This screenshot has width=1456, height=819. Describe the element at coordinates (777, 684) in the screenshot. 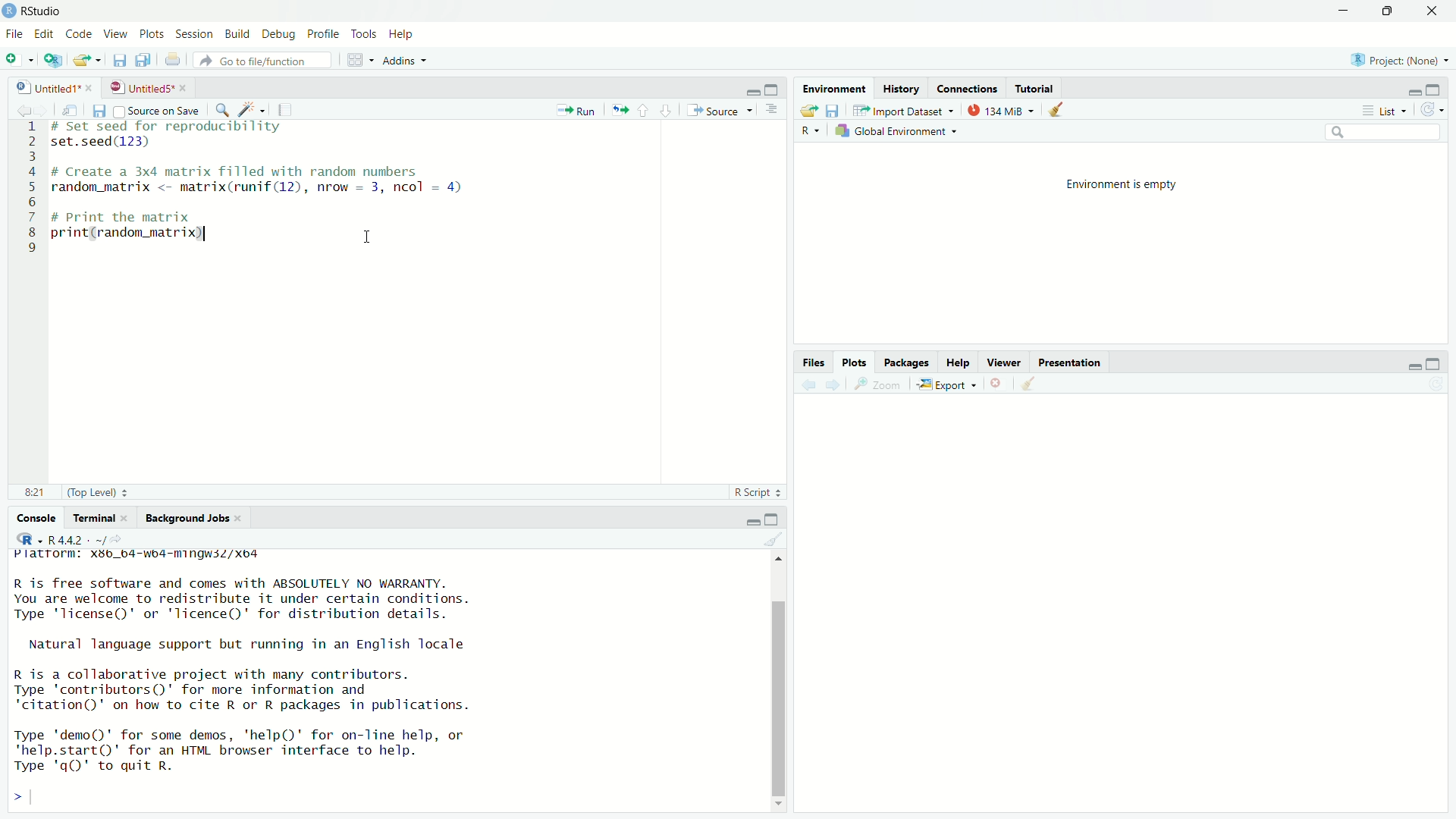

I see `scroll bar` at that location.